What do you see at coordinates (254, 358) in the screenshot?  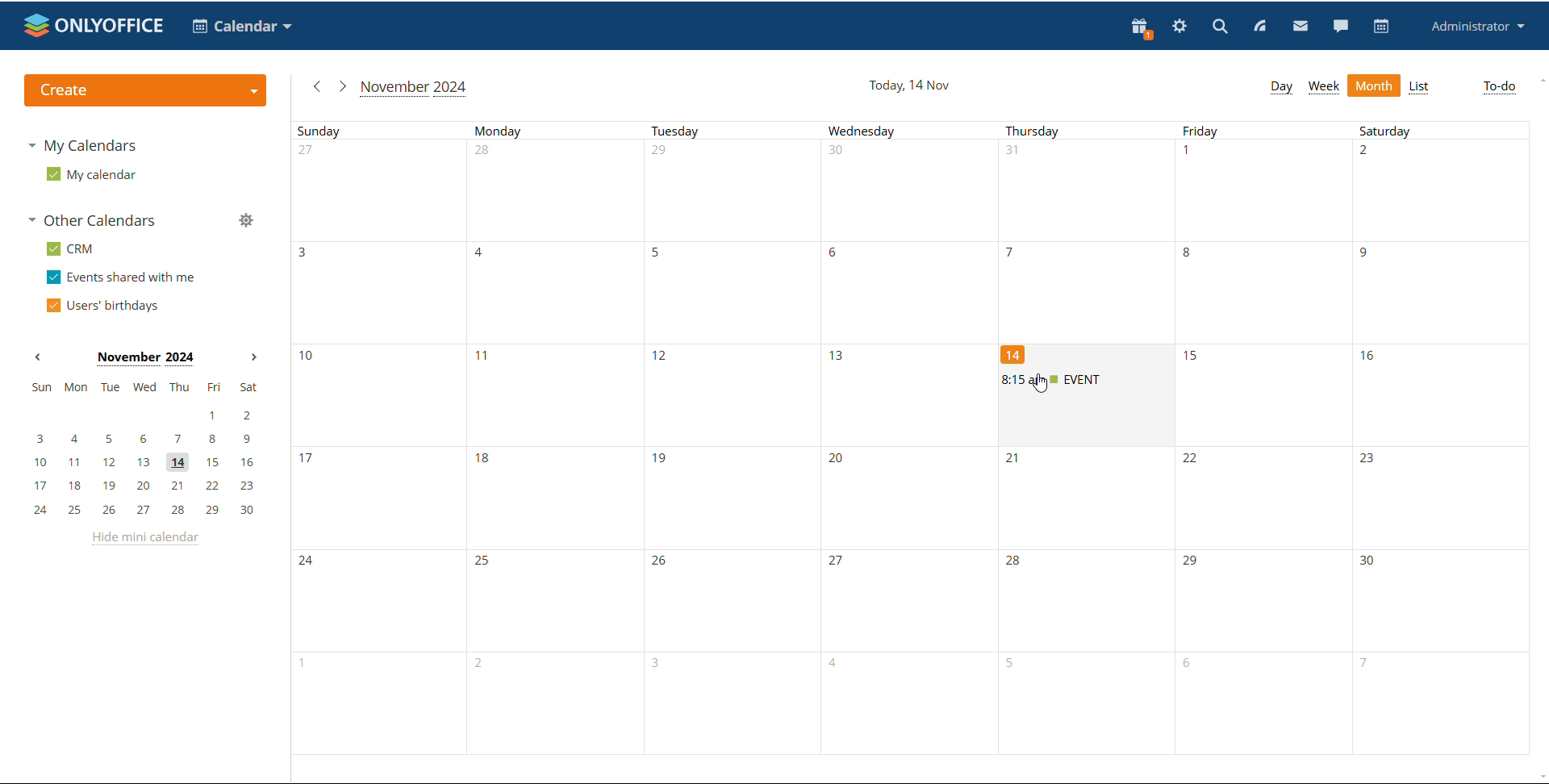 I see `next month` at bounding box center [254, 358].